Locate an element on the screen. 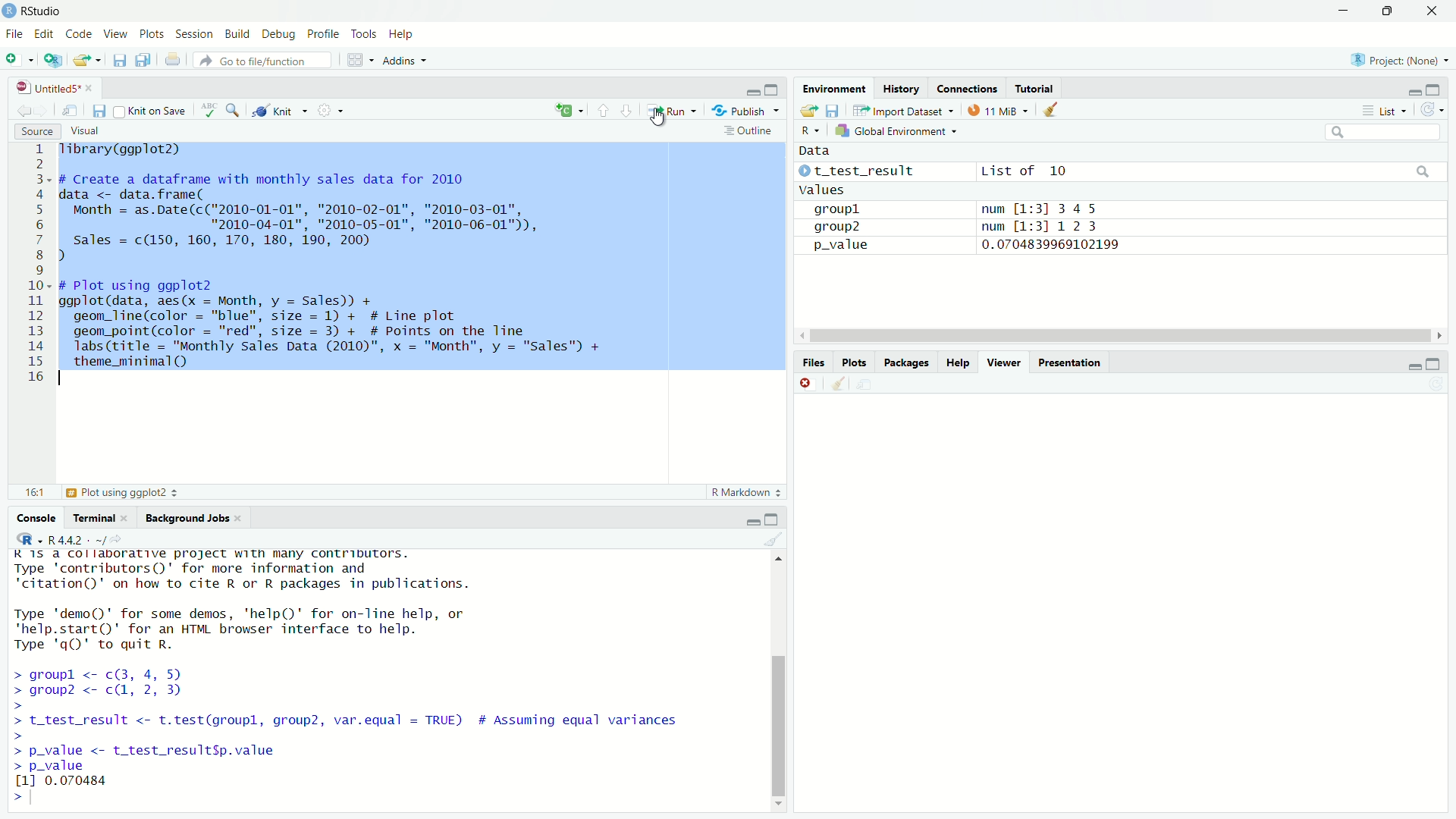 Image resolution: width=1456 pixels, height=819 pixels. minimise is located at coordinates (1436, 363).